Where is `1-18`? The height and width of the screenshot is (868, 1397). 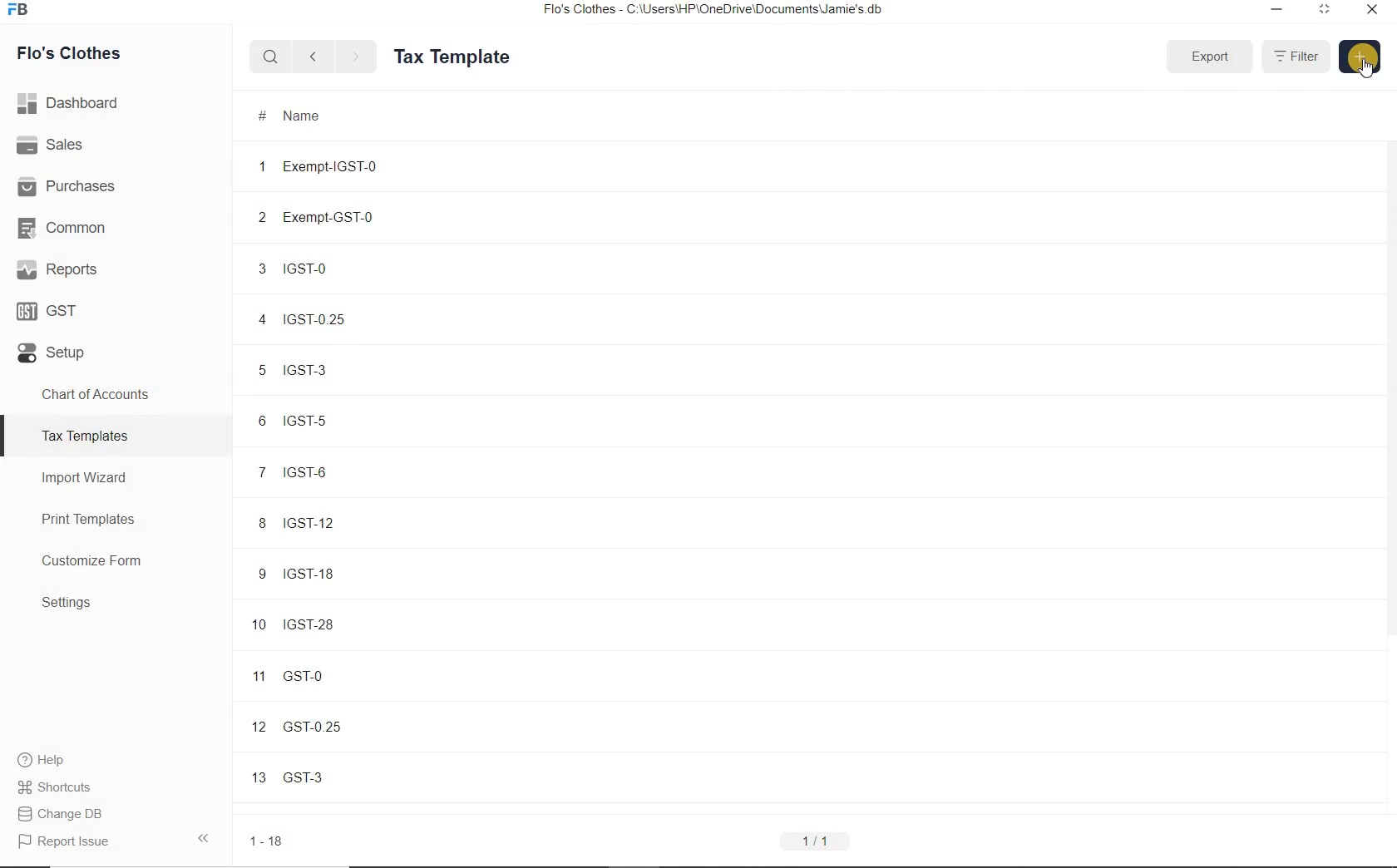 1-18 is located at coordinates (269, 841).